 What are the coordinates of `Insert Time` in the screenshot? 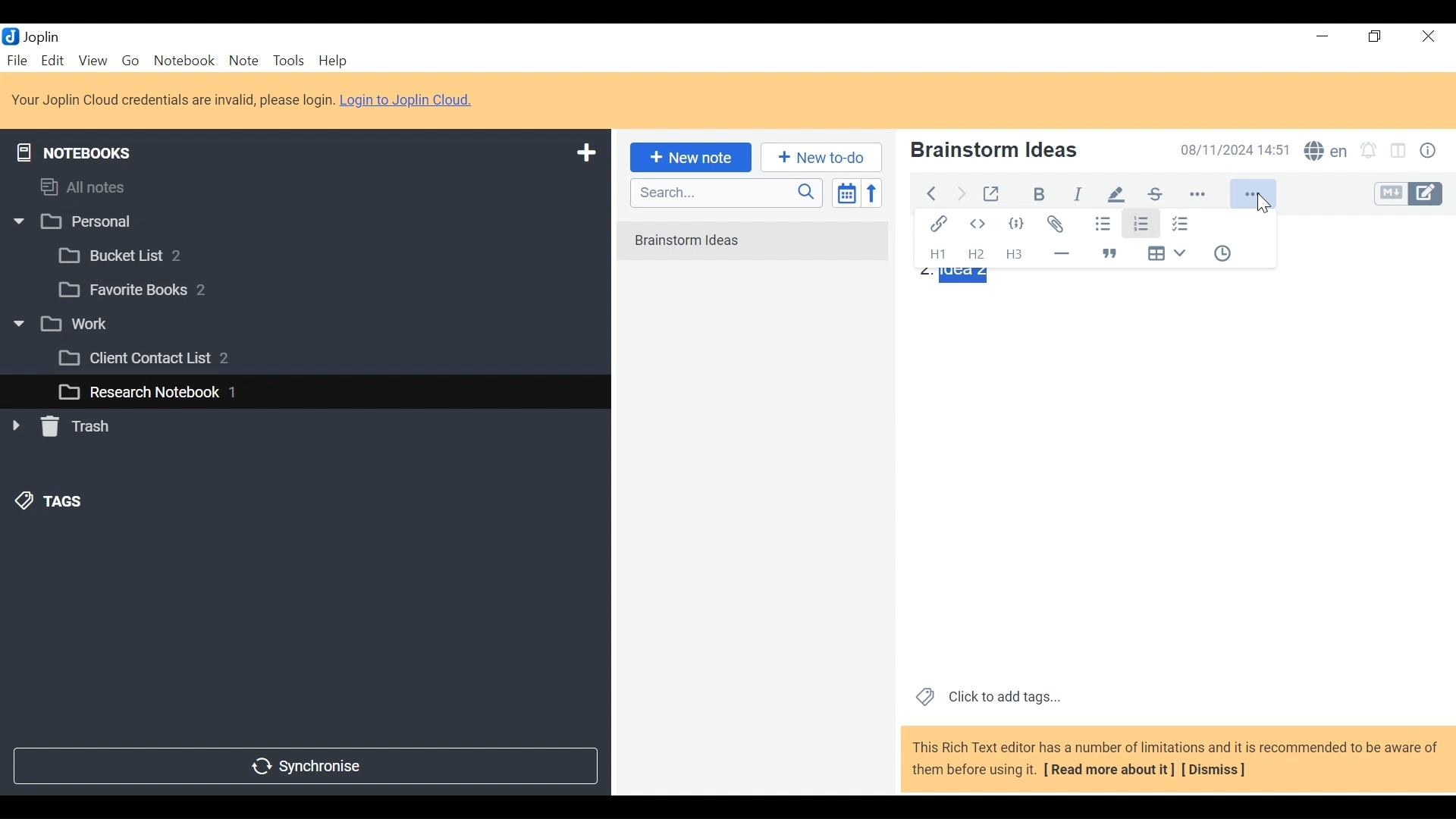 It's located at (1223, 253).